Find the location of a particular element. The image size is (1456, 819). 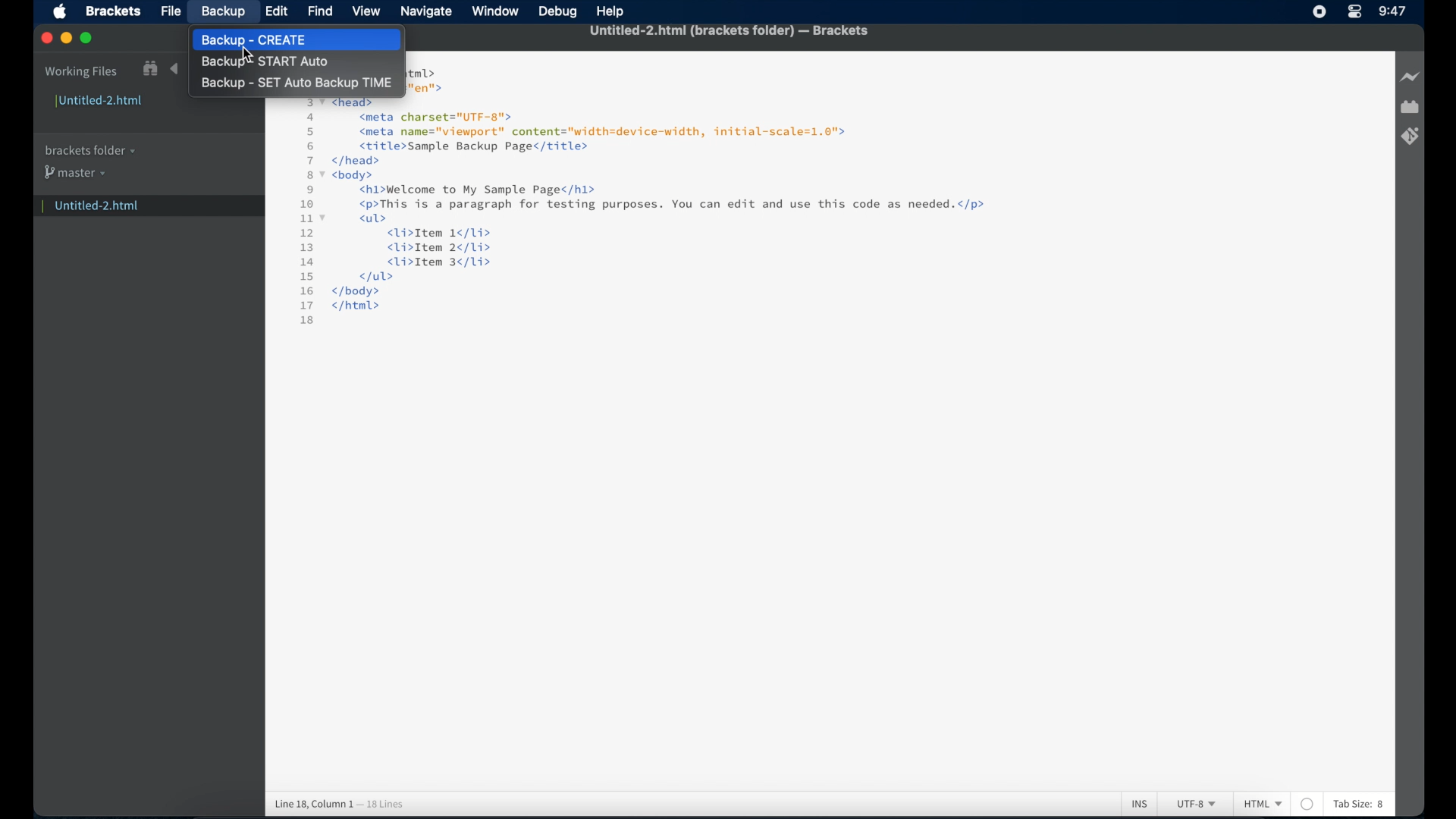

html is located at coordinates (1263, 804).